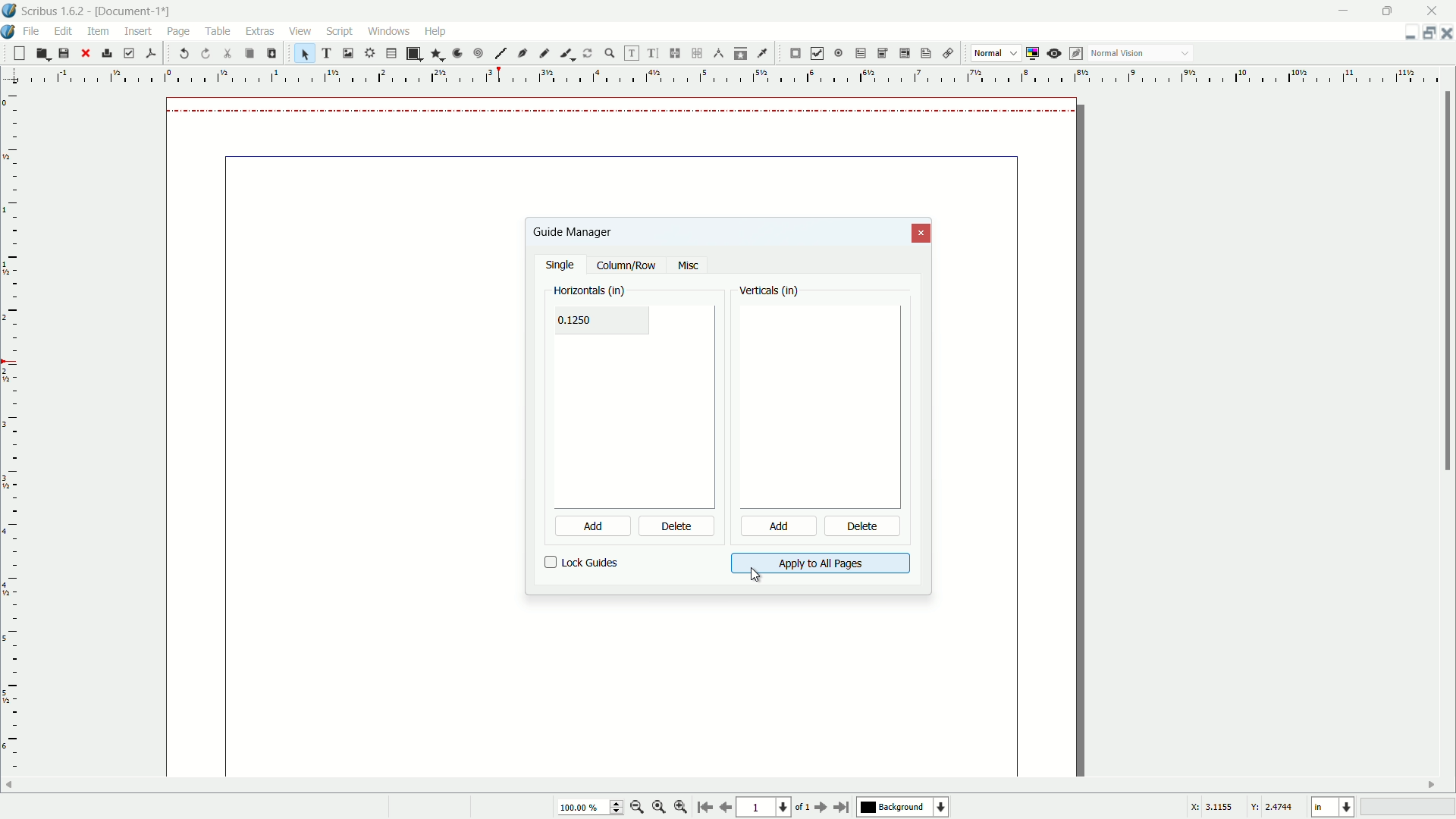 The height and width of the screenshot is (819, 1456). I want to click on open, so click(41, 54).